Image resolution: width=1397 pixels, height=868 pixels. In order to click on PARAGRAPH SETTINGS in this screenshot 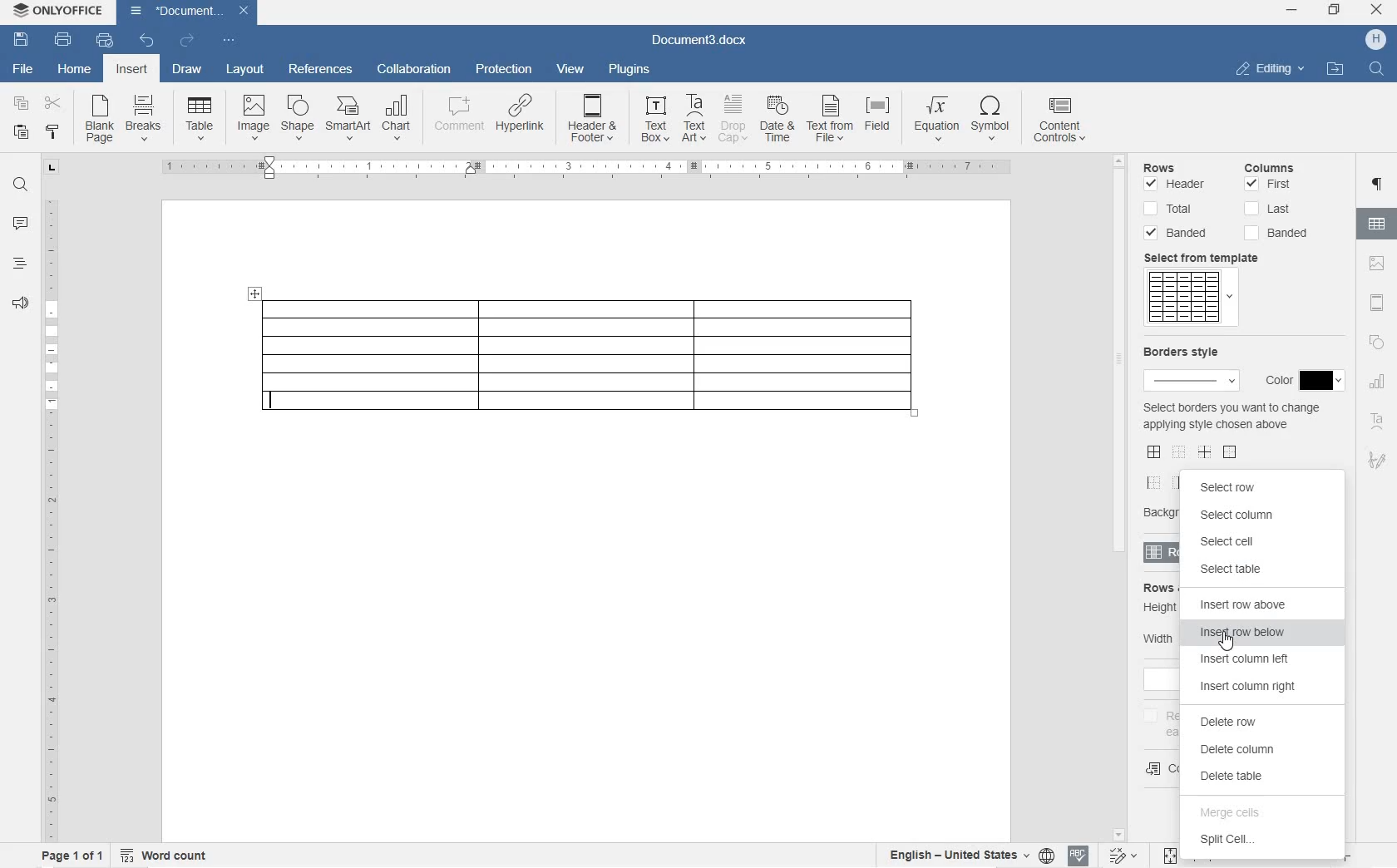, I will do `click(1378, 185)`.